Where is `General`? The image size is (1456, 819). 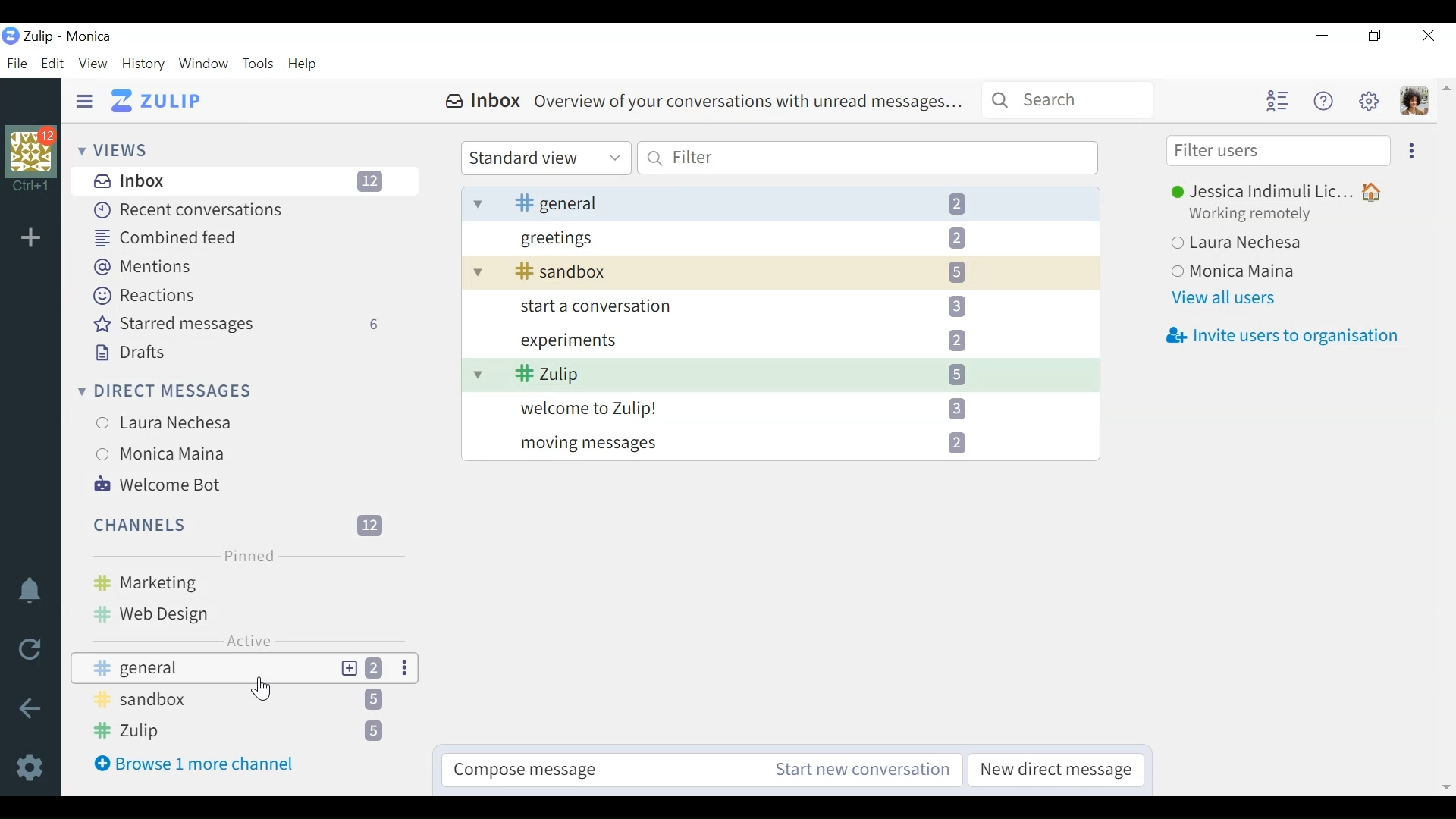 General is located at coordinates (202, 668).